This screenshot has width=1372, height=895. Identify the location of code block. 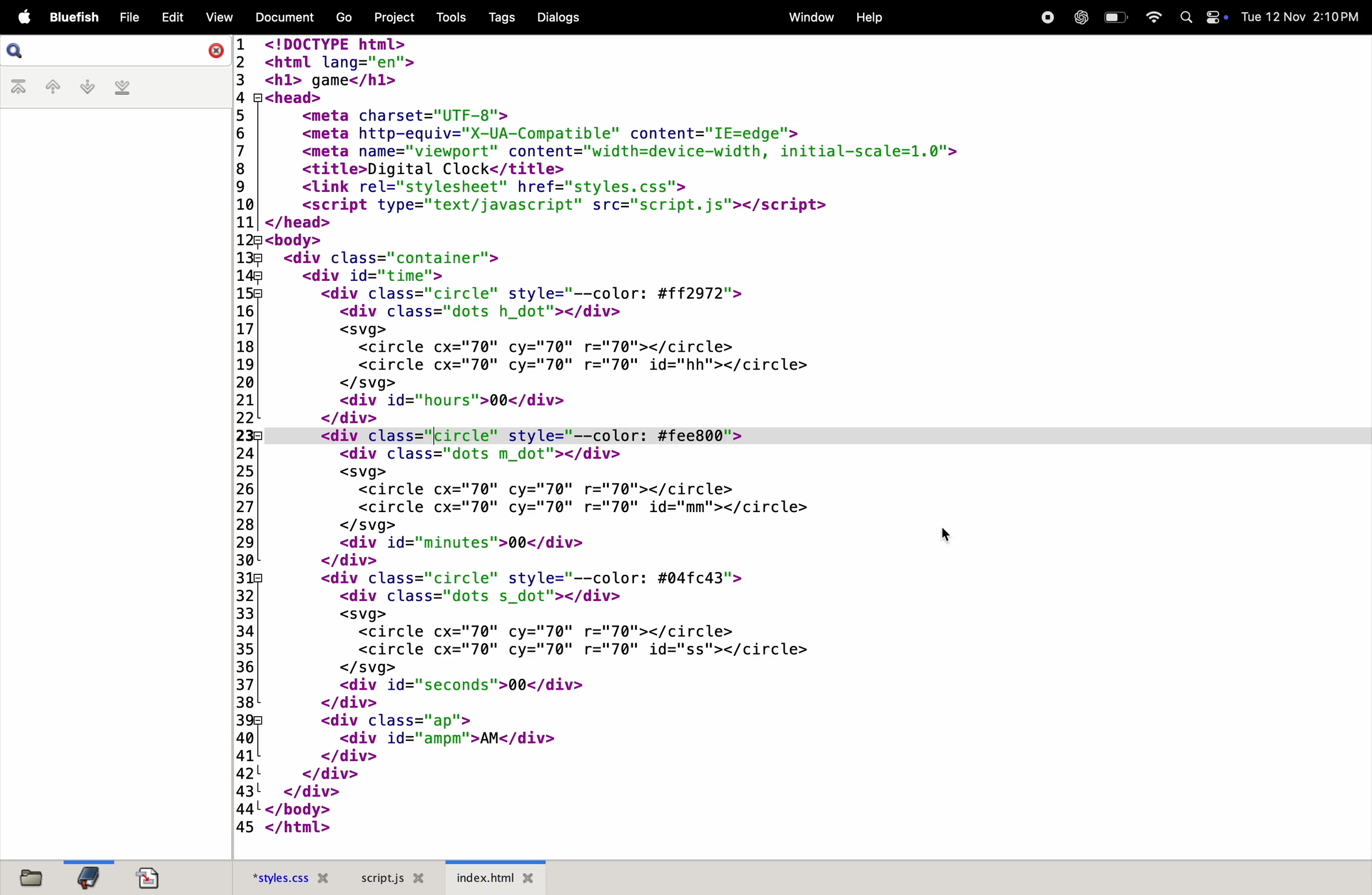
(683, 229).